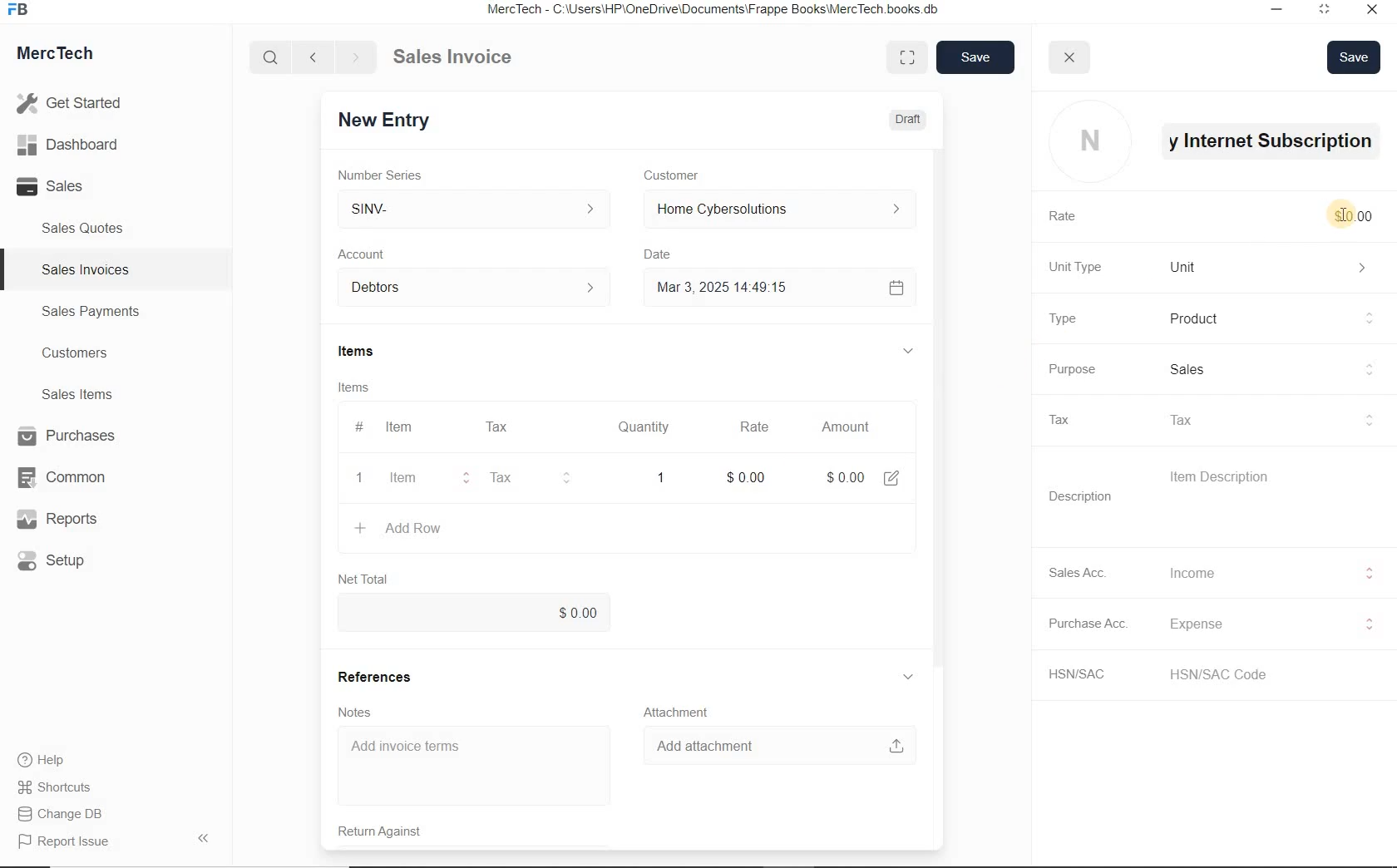  I want to click on Product, so click(1272, 318).